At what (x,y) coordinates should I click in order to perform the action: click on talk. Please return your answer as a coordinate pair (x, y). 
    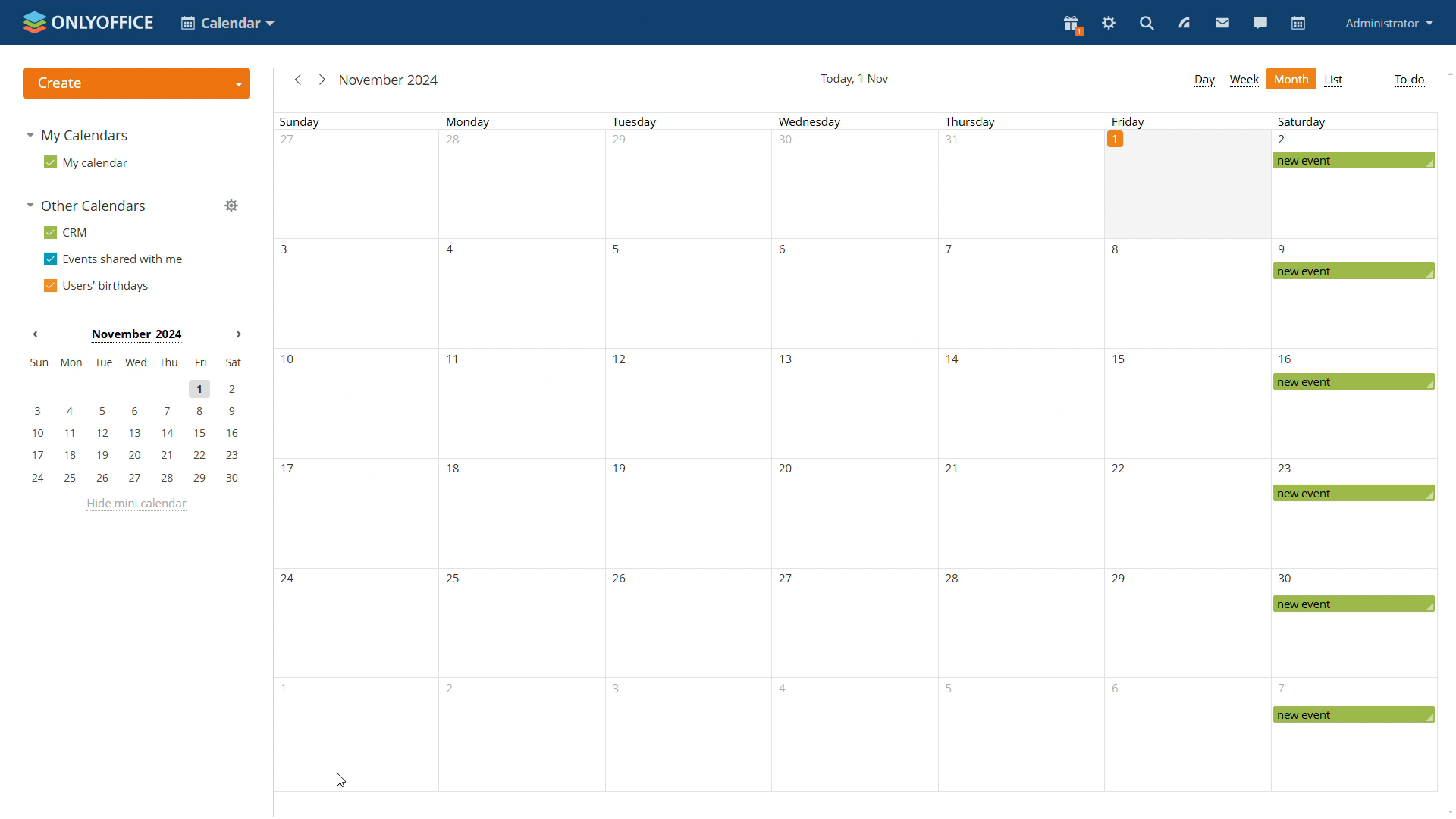
    Looking at the image, I should click on (1260, 24).